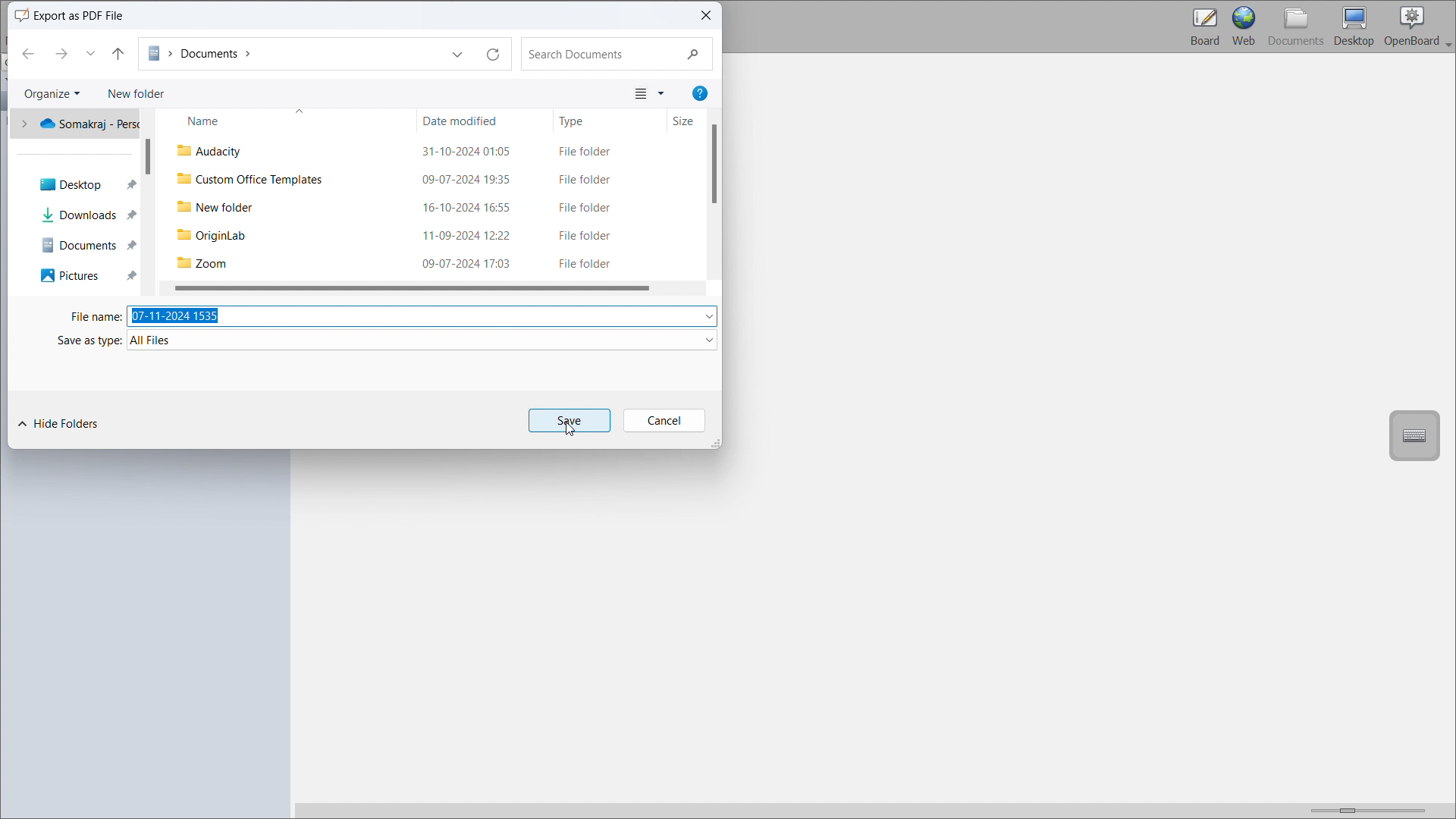 This screenshot has width=1456, height=819. Describe the element at coordinates (705, 16) in the screenshot. I see `close` at that location.